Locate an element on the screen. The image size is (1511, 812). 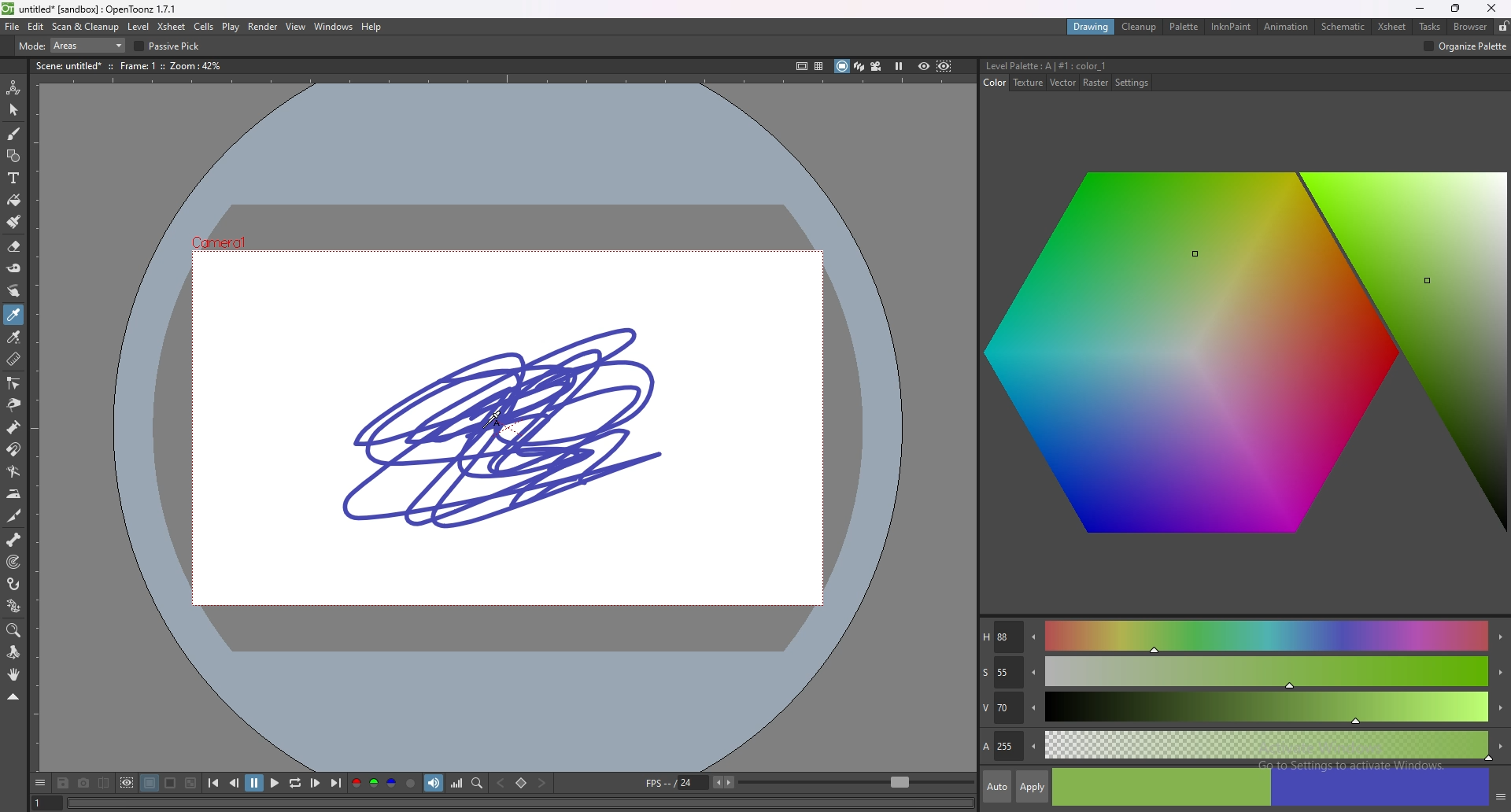
apply is located at coordinates (1033, 786).